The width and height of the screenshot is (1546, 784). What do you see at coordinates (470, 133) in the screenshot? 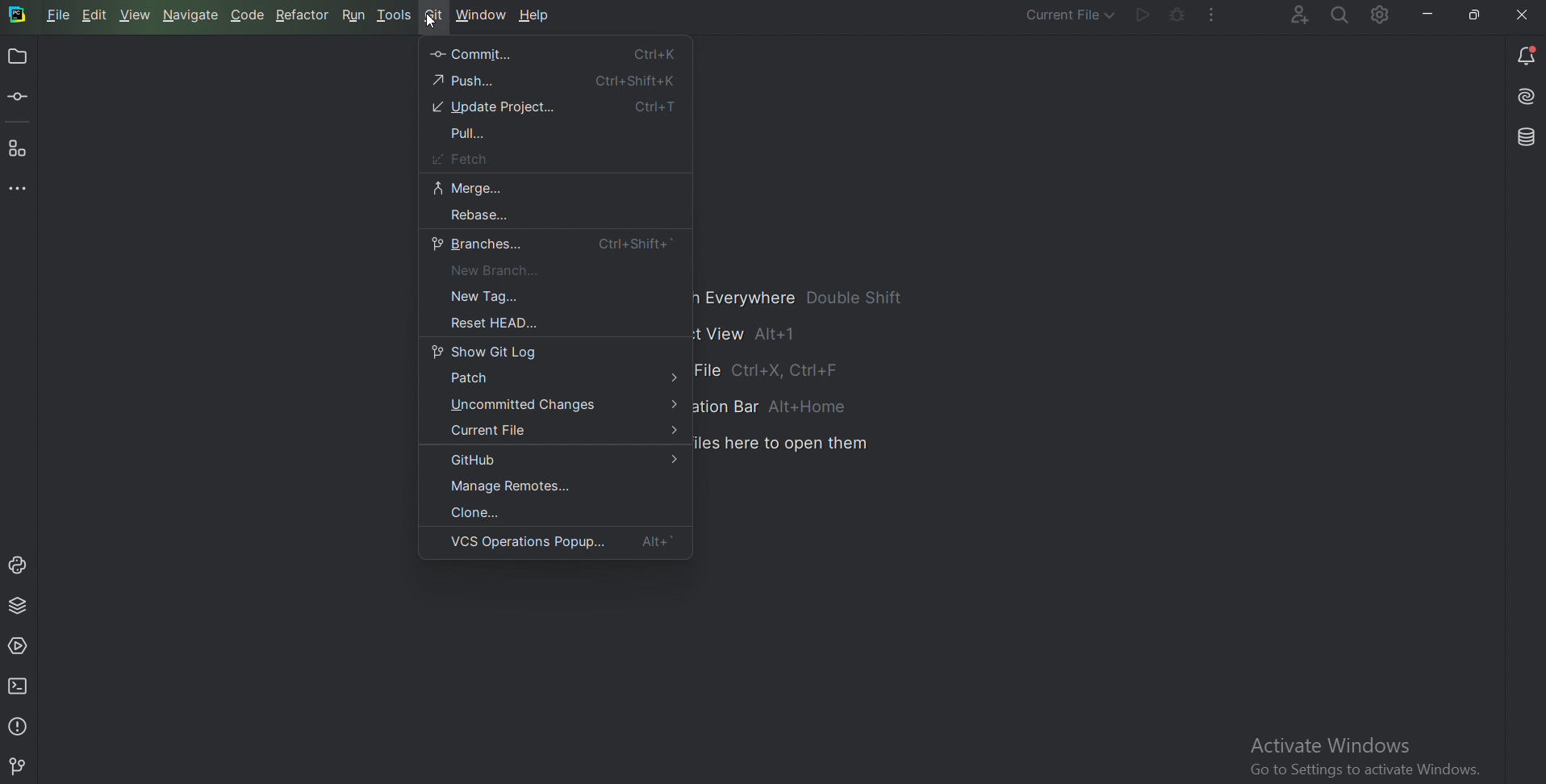
I see `Pull` at bounding box center [470, 133].